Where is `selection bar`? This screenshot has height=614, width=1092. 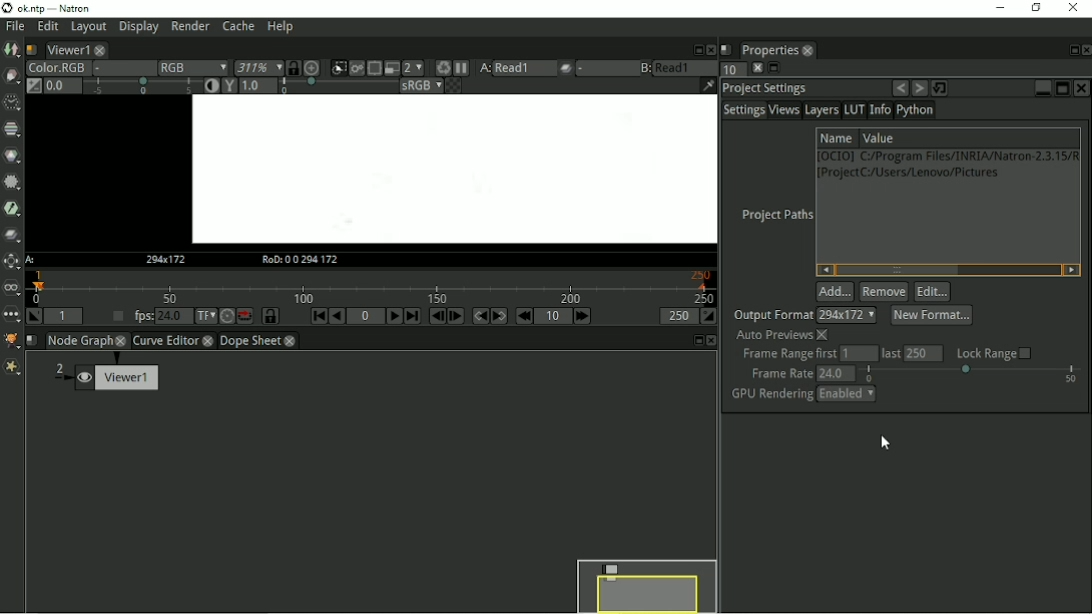
selection bar is located at coordinates (142, 85).